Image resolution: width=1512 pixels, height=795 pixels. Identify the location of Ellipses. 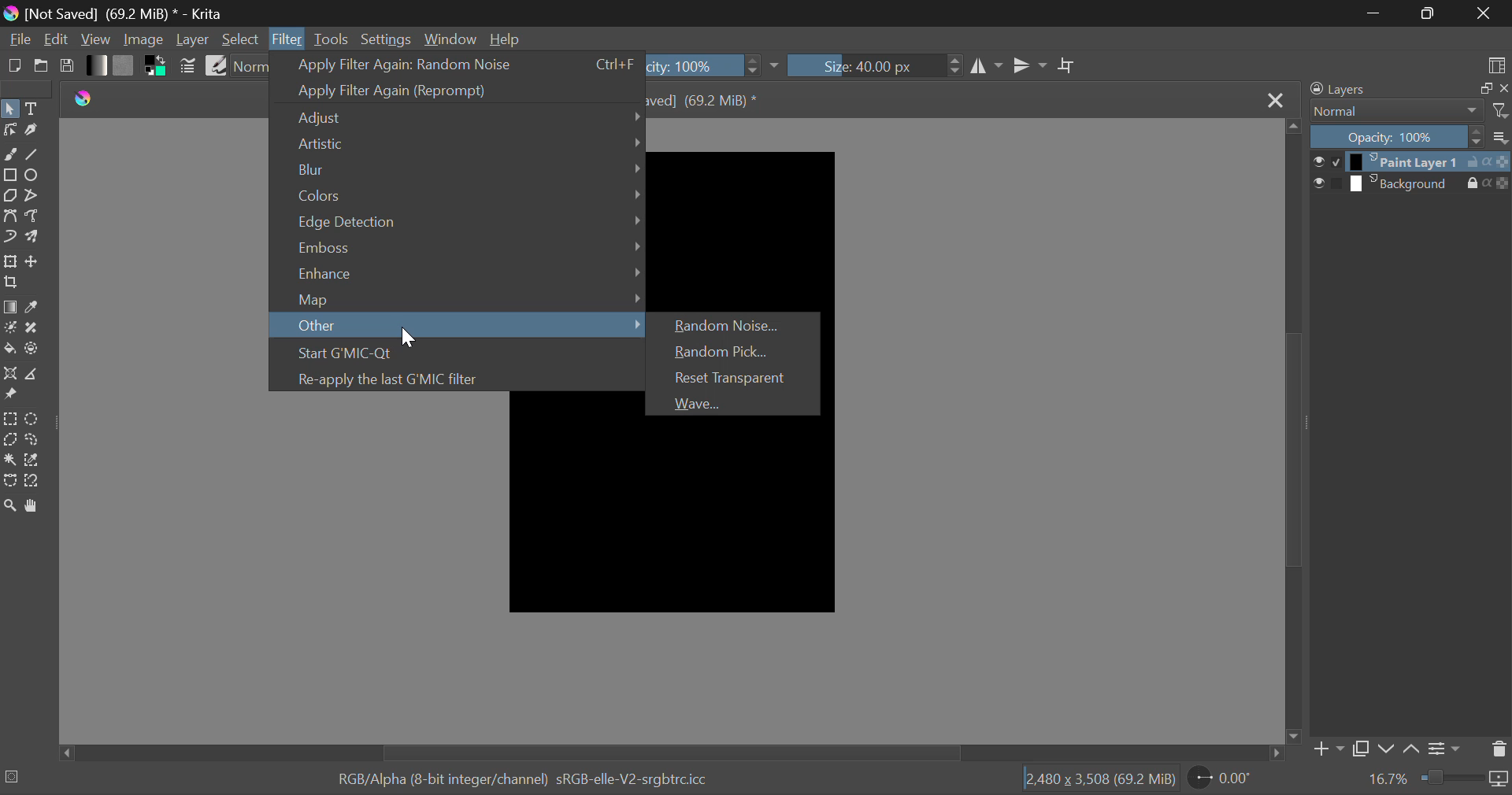
(32, 176).